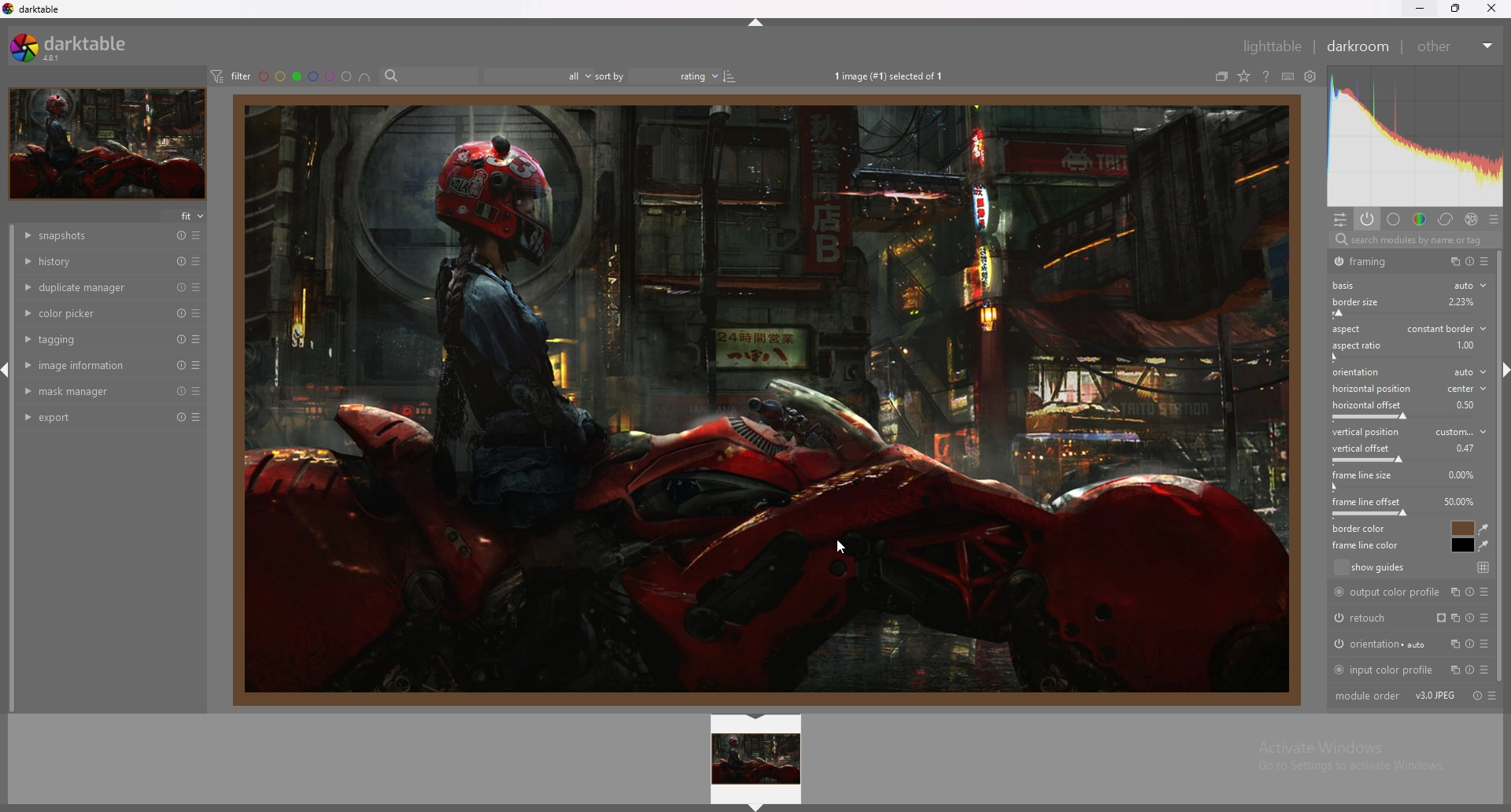 The image size is (1511, 812). I want to click on darktable, so click(75, 46).